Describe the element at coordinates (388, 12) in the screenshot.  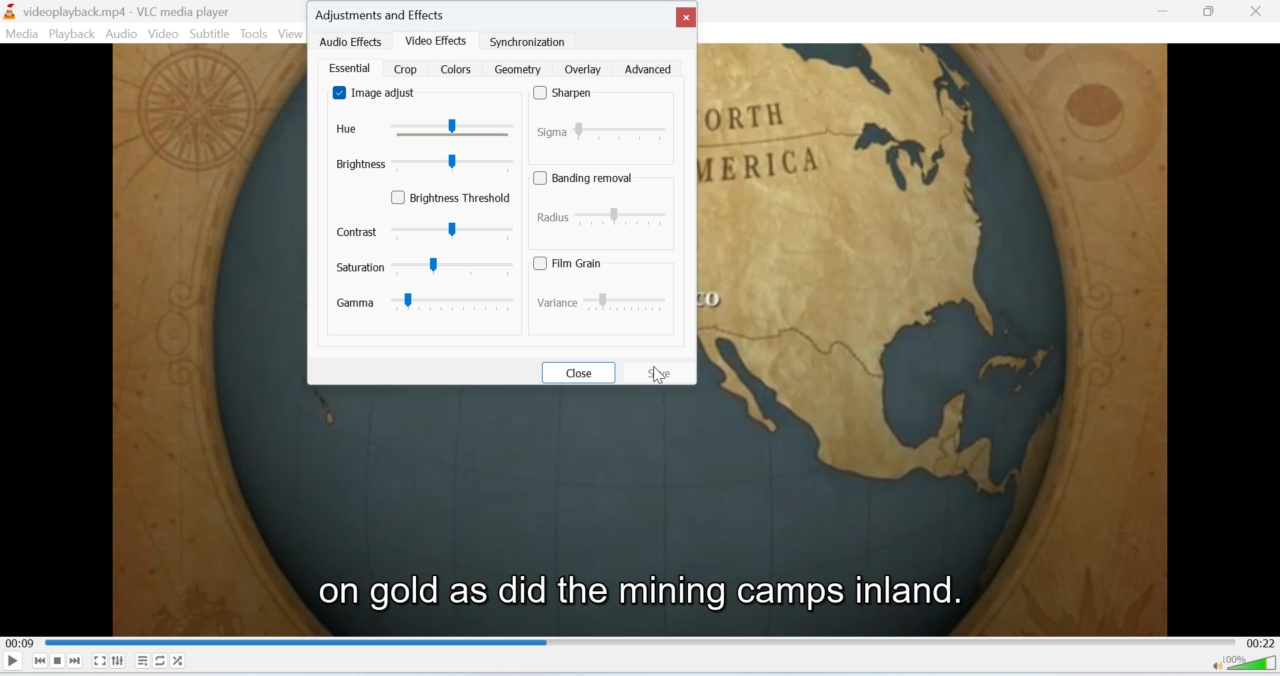
I see `adjustments and effects` at that location.